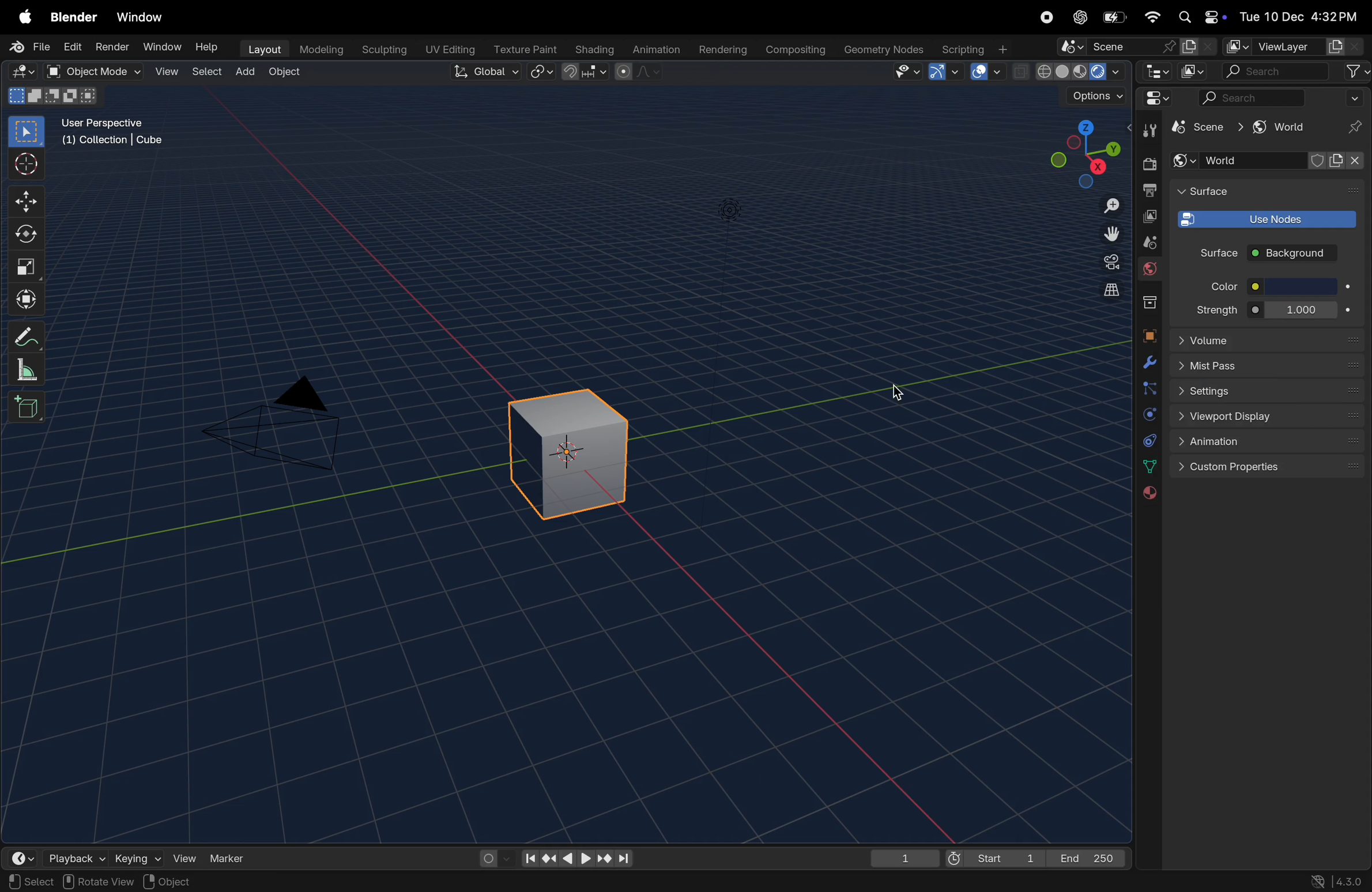 This screenshot has height=892, width=1372. I want to click on scene, so click(1136, 46).